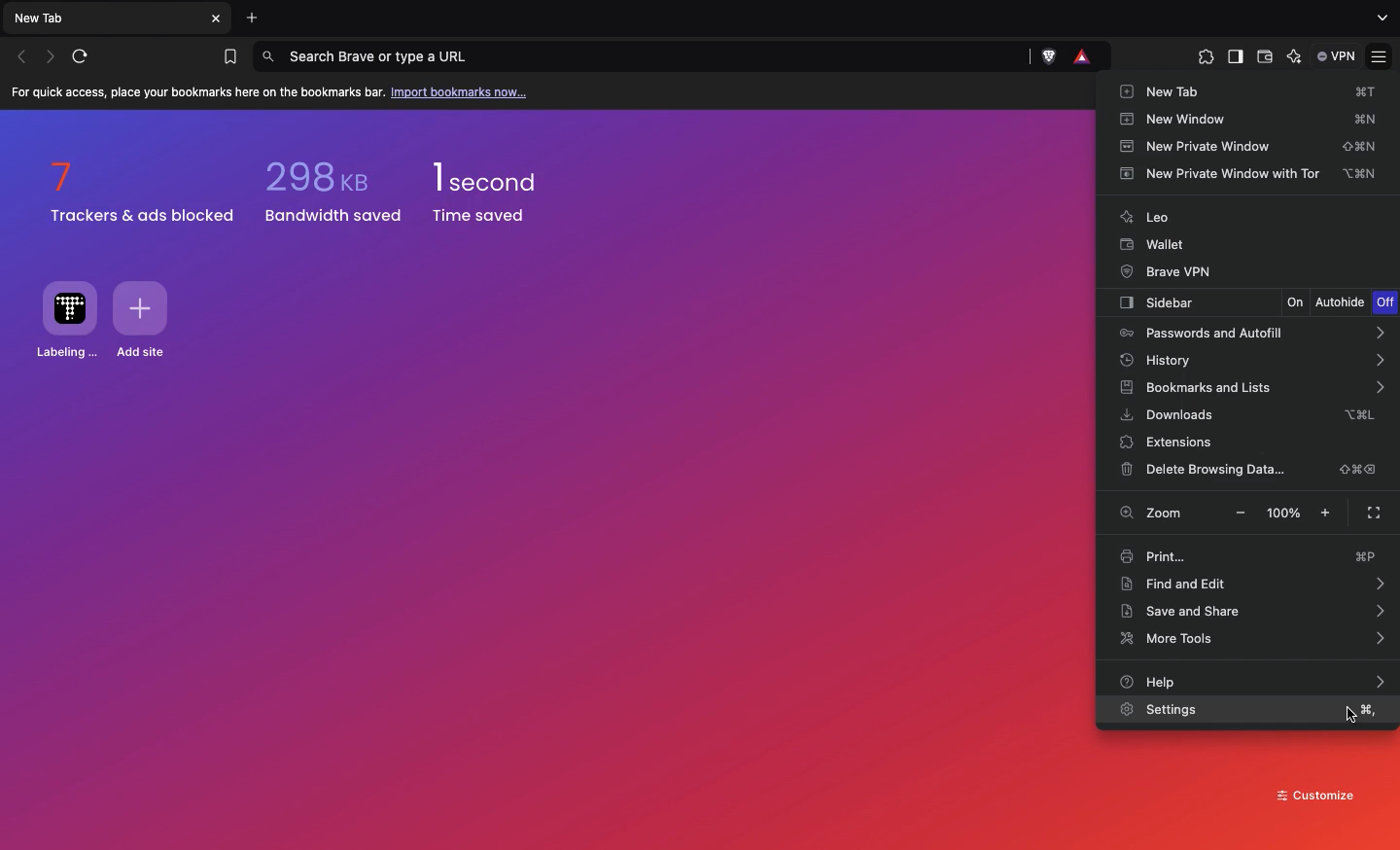  Describe the element at coordinates (20, 57) in the screenshot. I see `Click to go back, hold to see history` at that location.